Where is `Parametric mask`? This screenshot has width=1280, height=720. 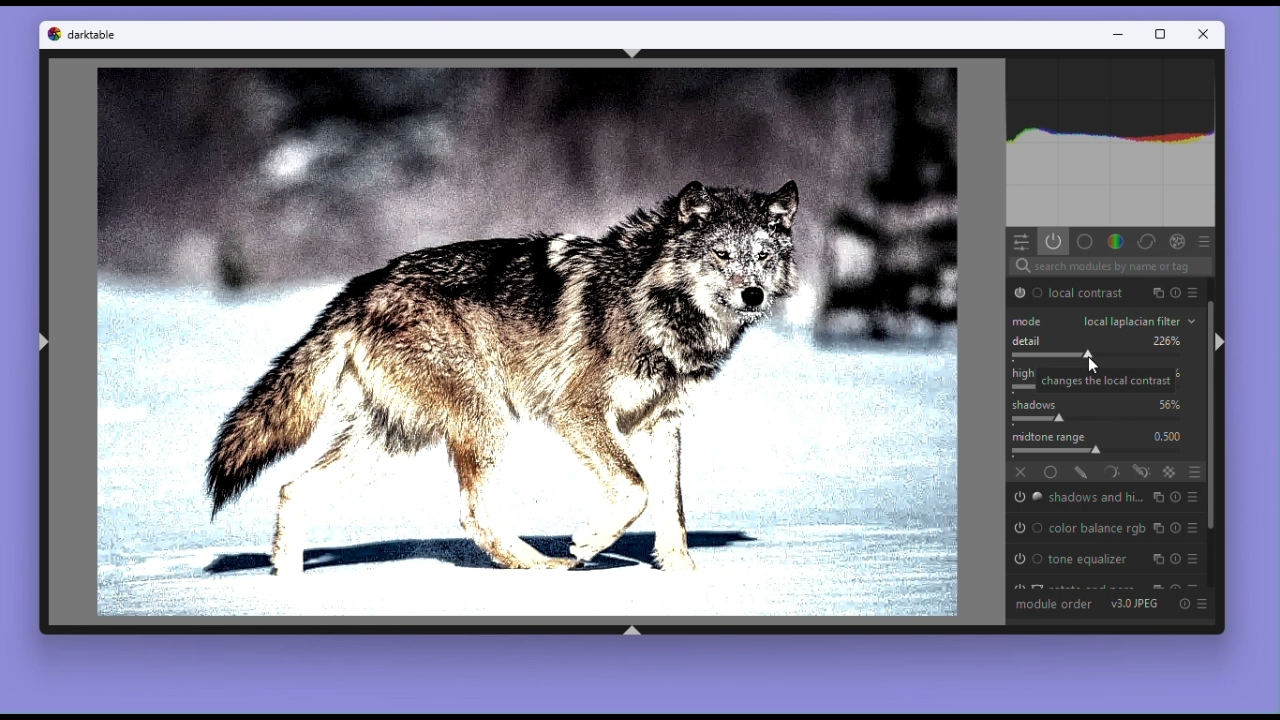 Parametric mask is located at coordinates (1110, 473).